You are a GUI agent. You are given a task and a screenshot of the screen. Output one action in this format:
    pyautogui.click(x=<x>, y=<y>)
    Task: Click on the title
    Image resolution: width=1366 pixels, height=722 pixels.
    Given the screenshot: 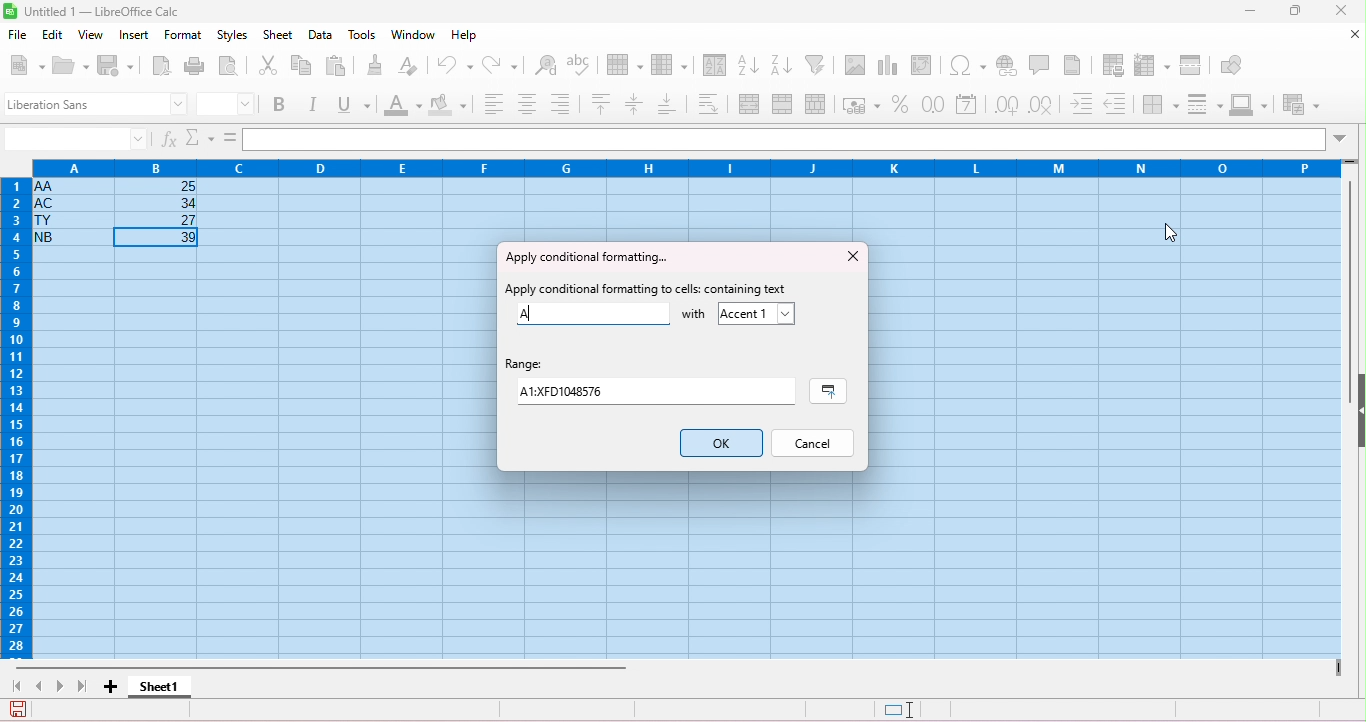 What is the action you would take?
    pyautogui.click(x=92, y=12)
    